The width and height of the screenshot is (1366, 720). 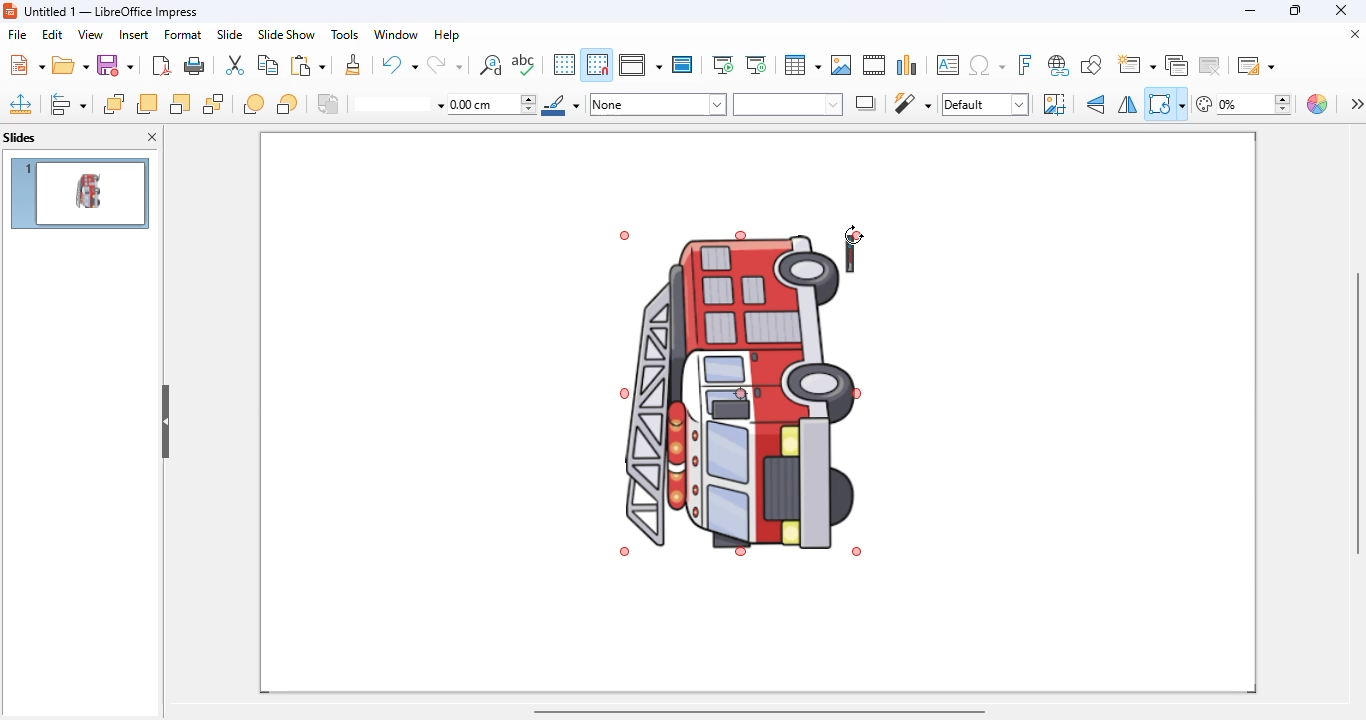 I want to click on bring forward, so click(x=146, y=104).